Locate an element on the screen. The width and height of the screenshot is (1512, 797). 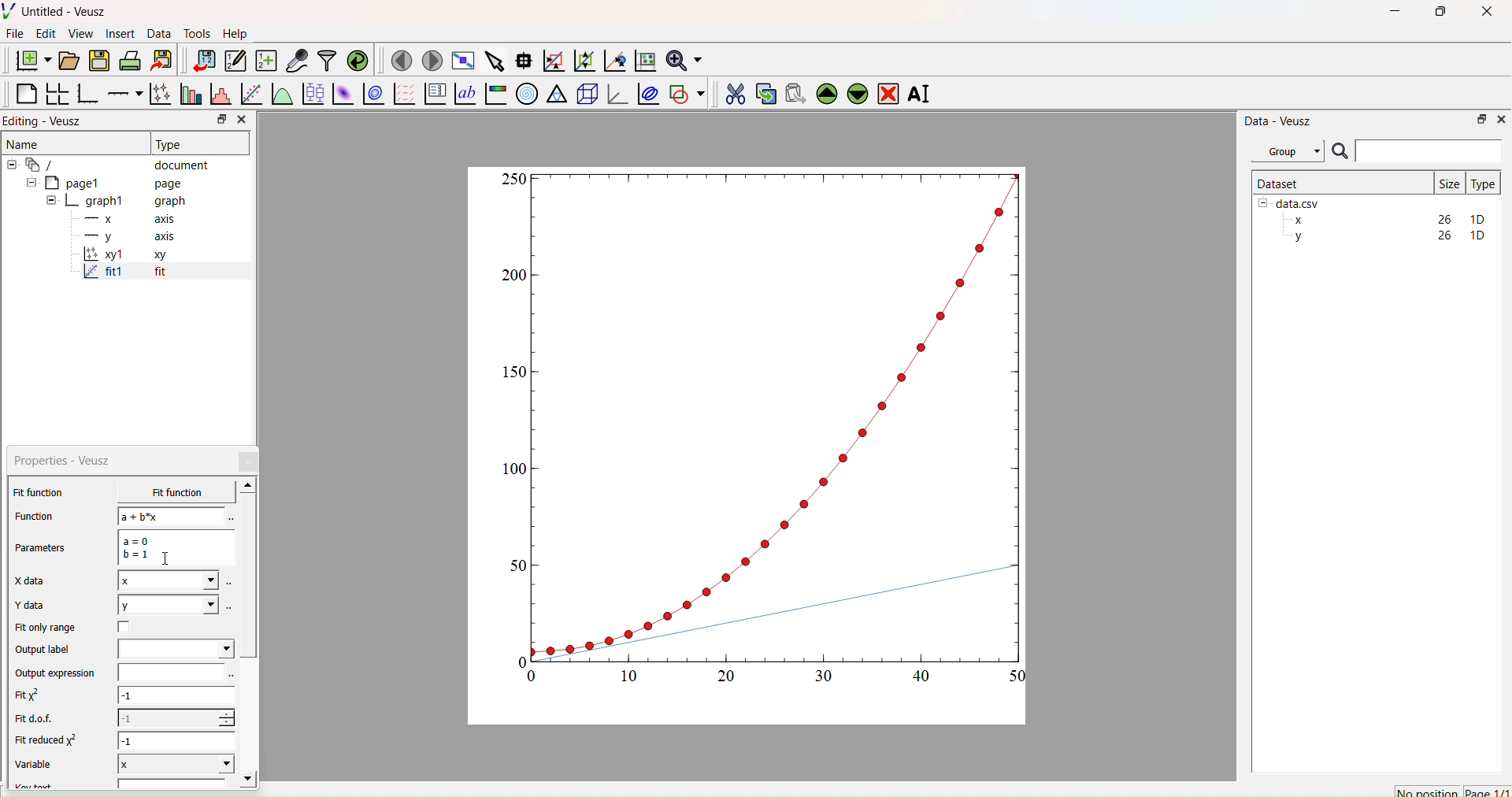
Data - Veusz is located at coordinates (1278, 120).